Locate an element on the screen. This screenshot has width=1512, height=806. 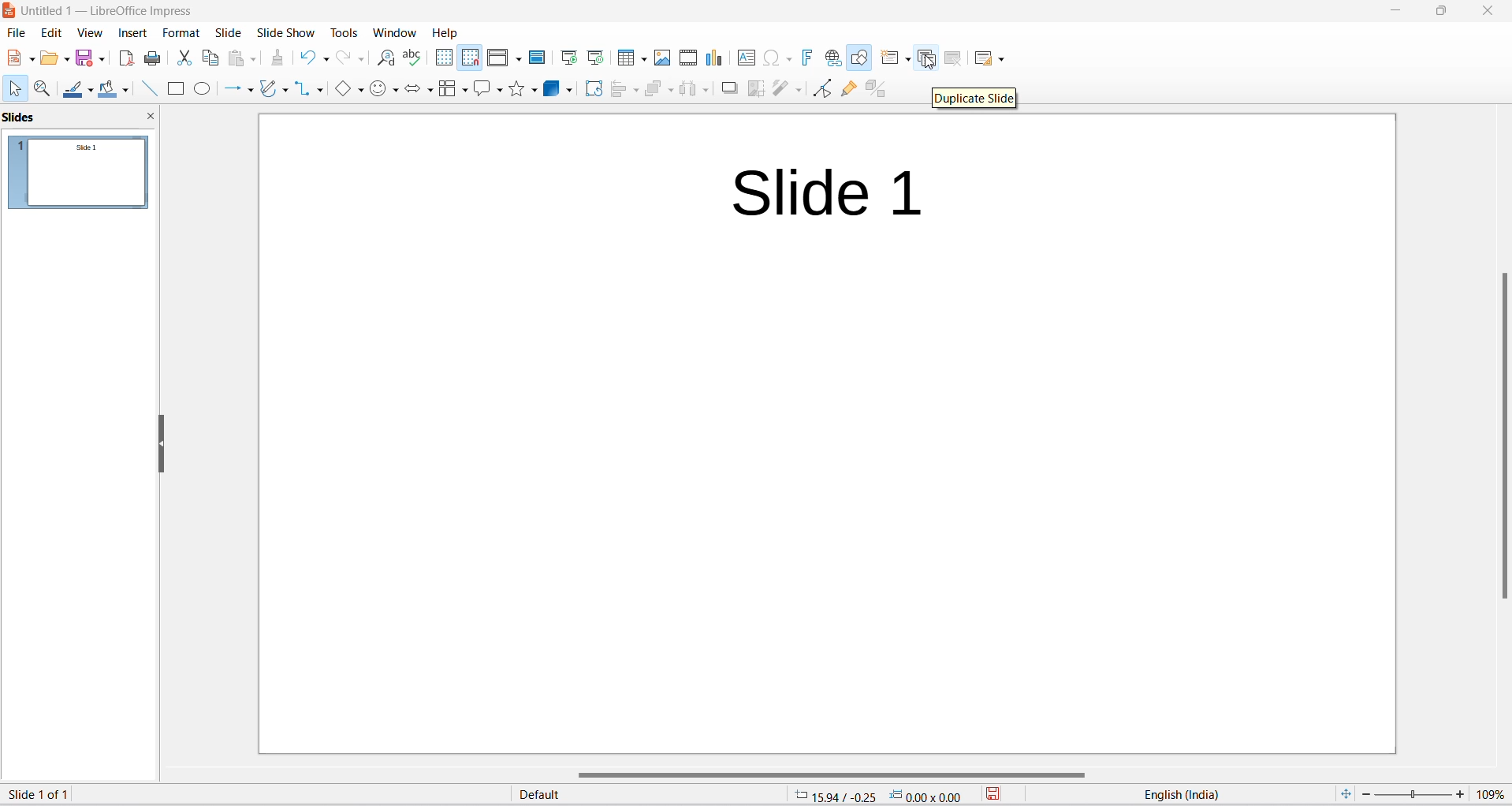
Fill colour is located at coordinates (114, 89).